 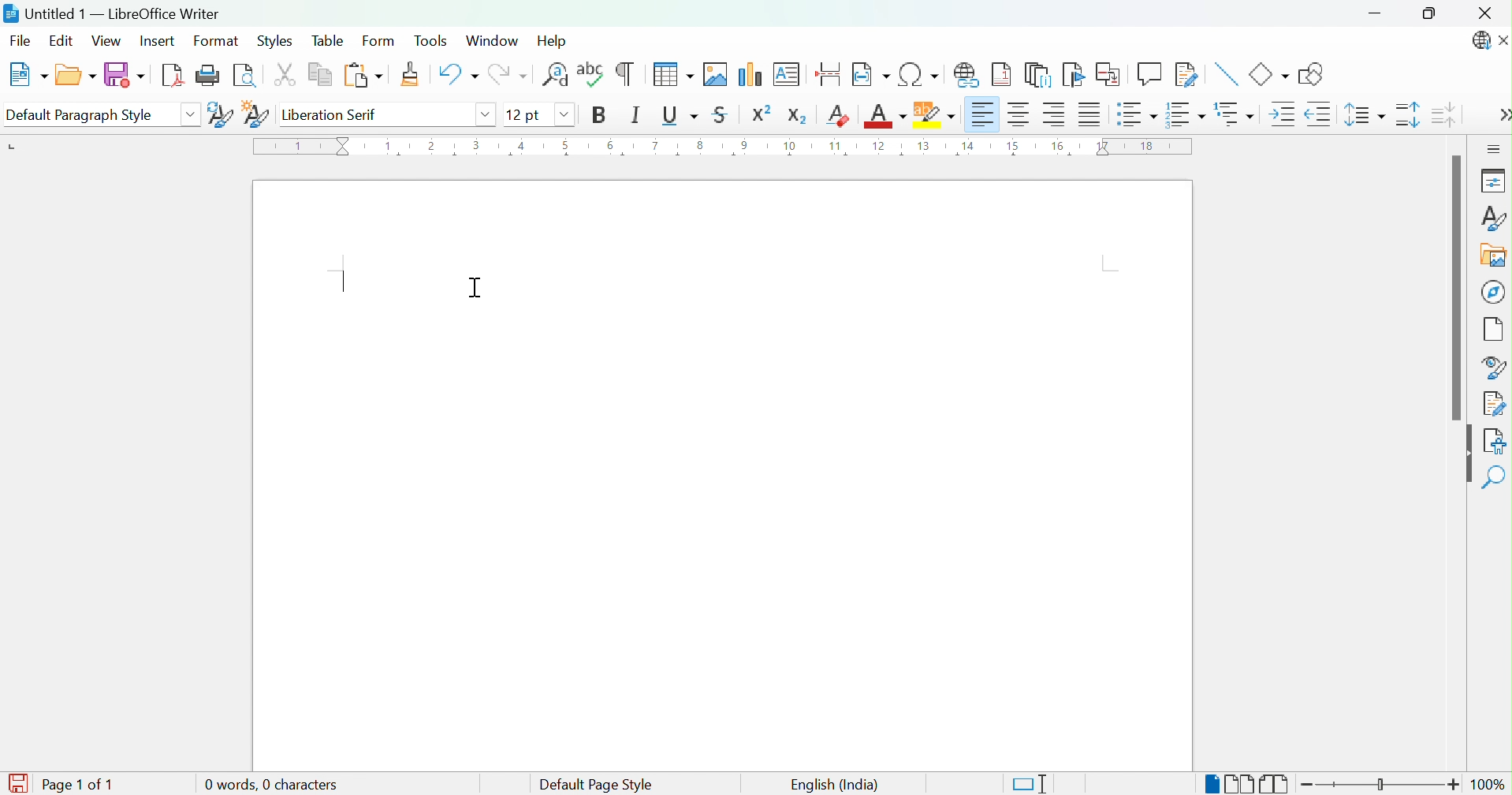 What do you see at coordinates (598, 114) in the screenshot?
I see `Bold` at bounding box center [598, 114].